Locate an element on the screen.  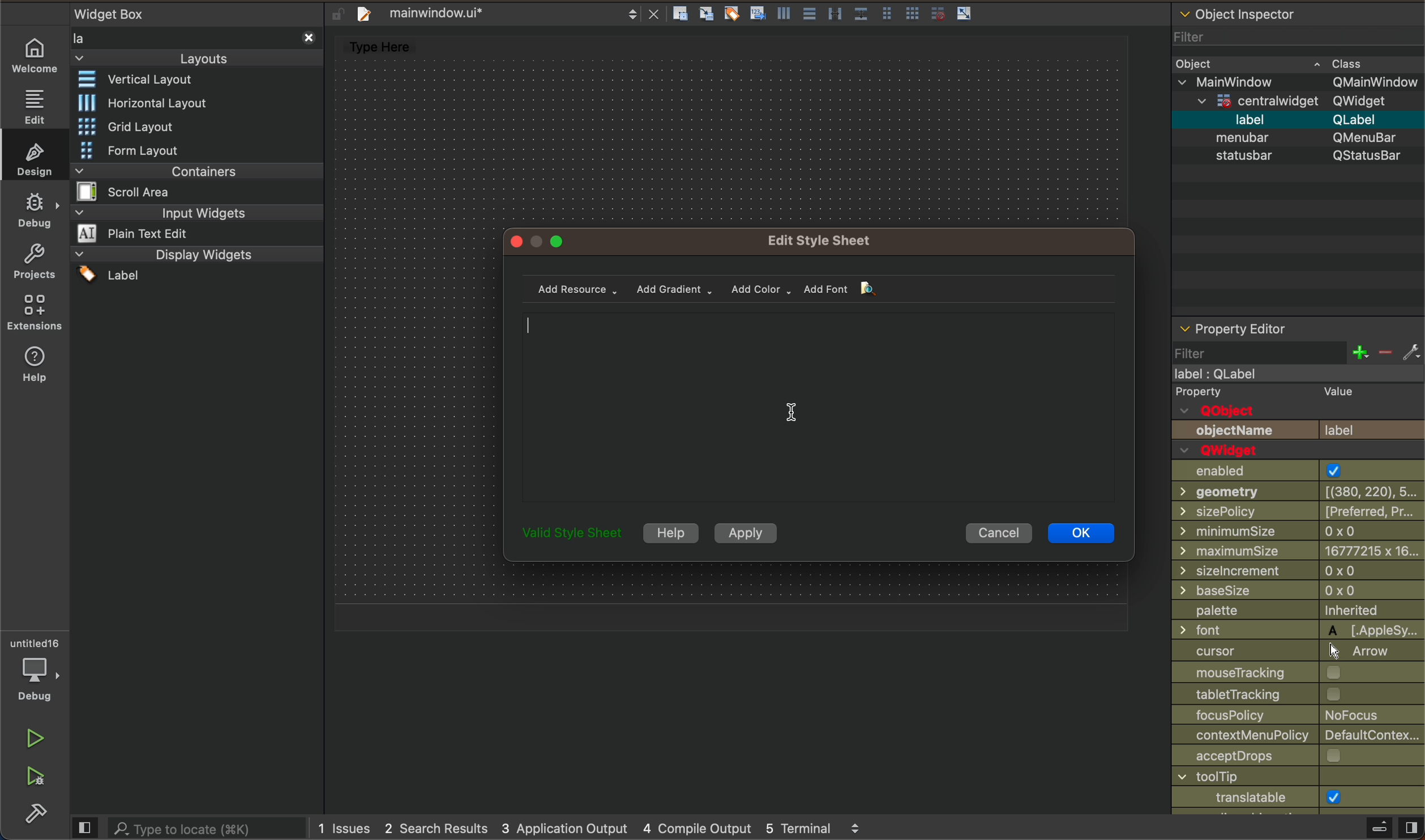
add color is located at coordinates (764, 288).